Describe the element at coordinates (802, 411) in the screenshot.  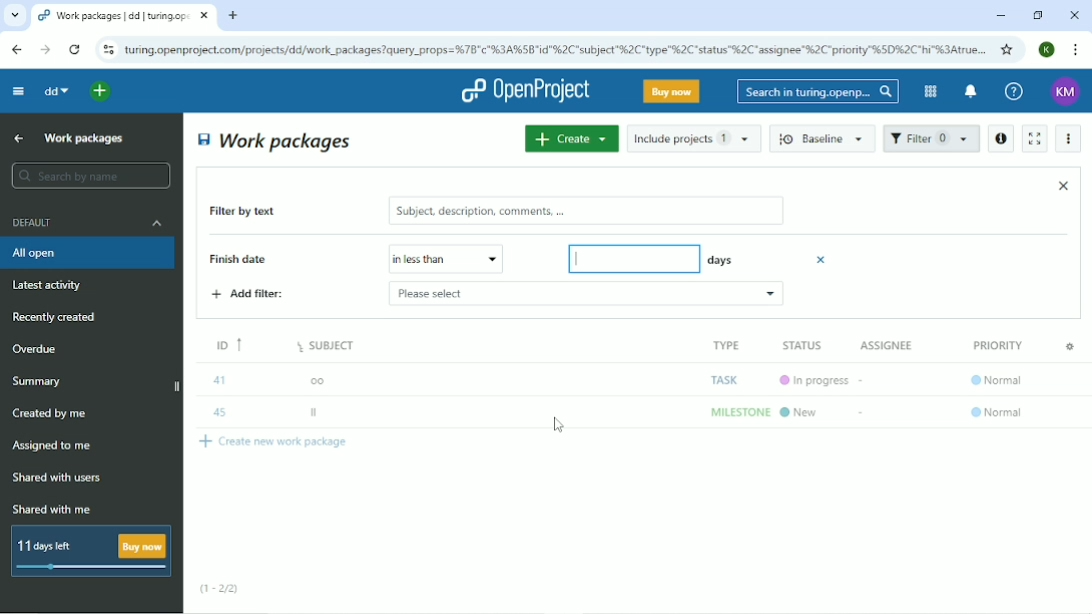
I see `New` at that location.